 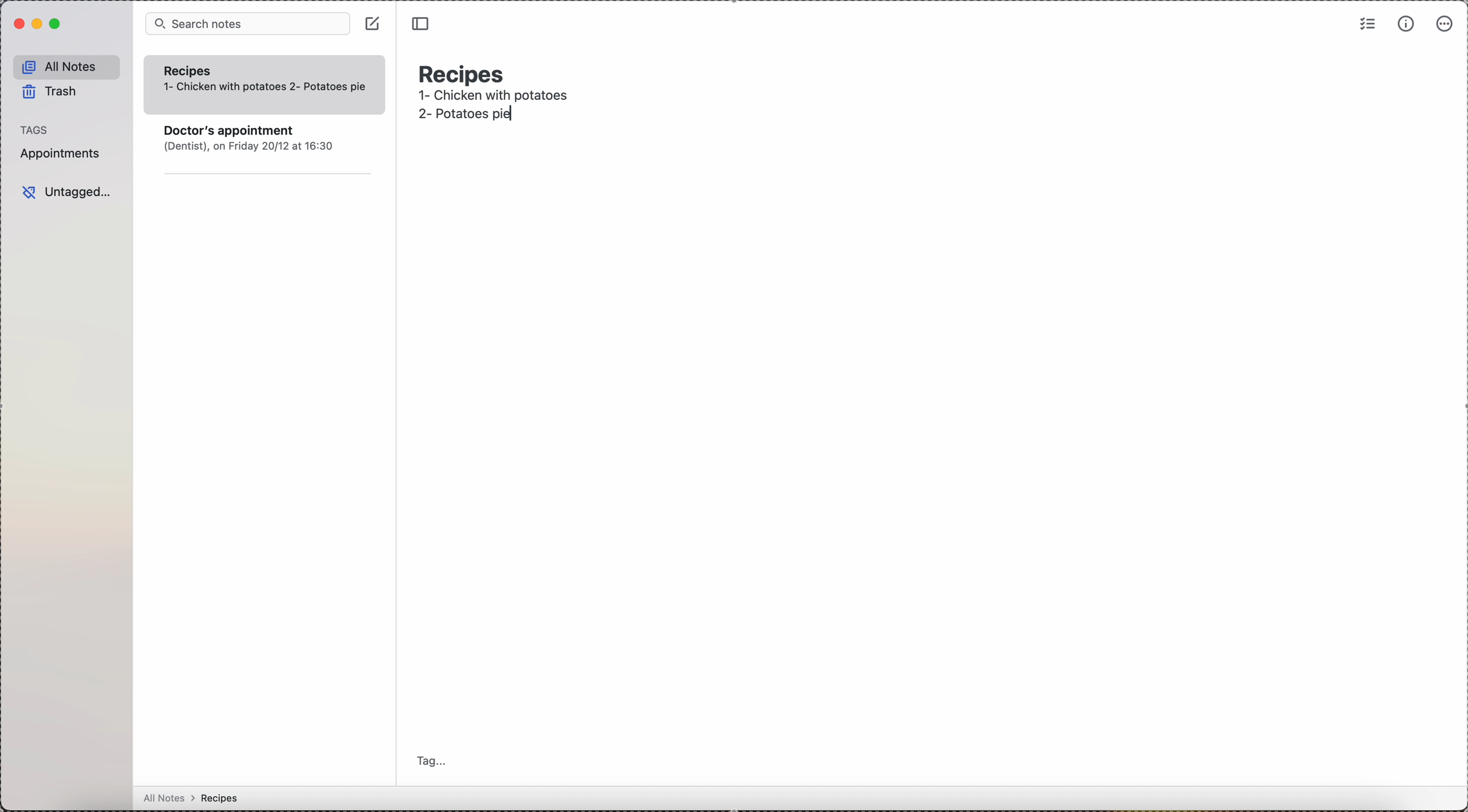 I want to click on minimize, so click(x=38, y=25).